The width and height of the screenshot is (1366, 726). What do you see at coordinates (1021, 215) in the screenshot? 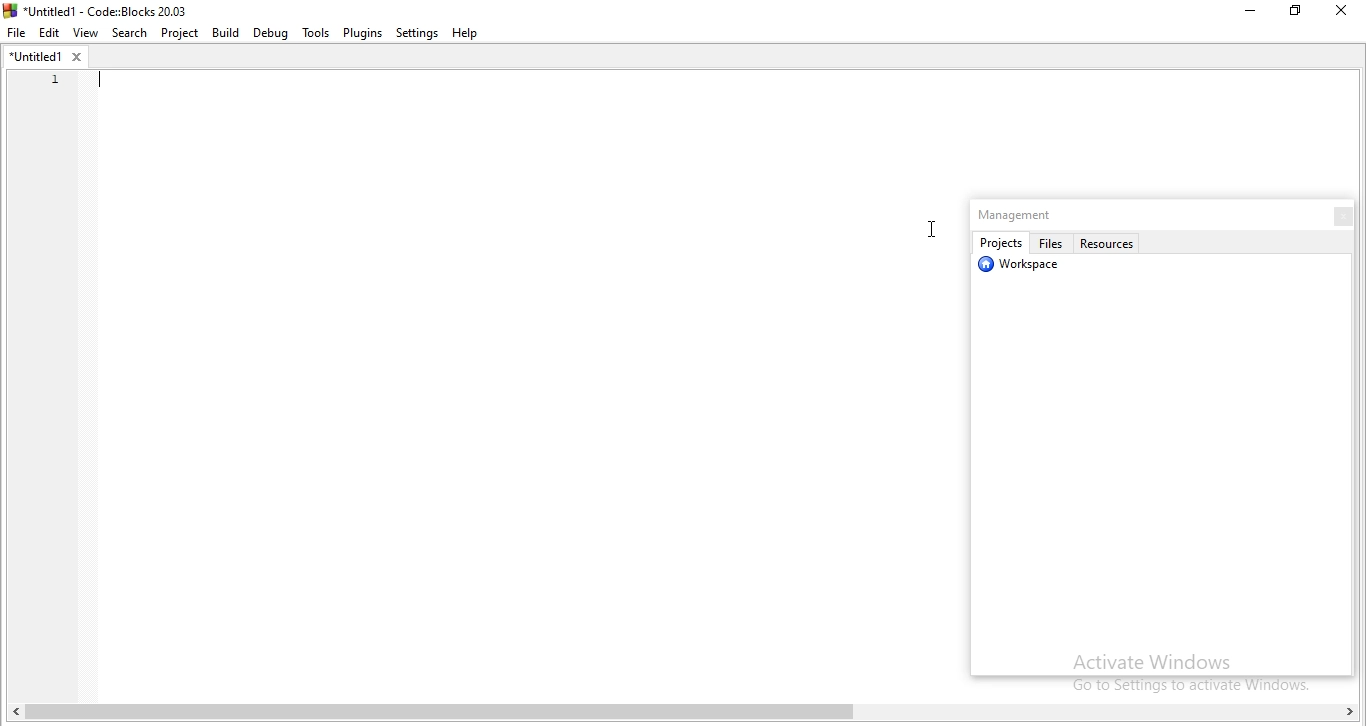
I see `management` at bounding box center [1021, 215].